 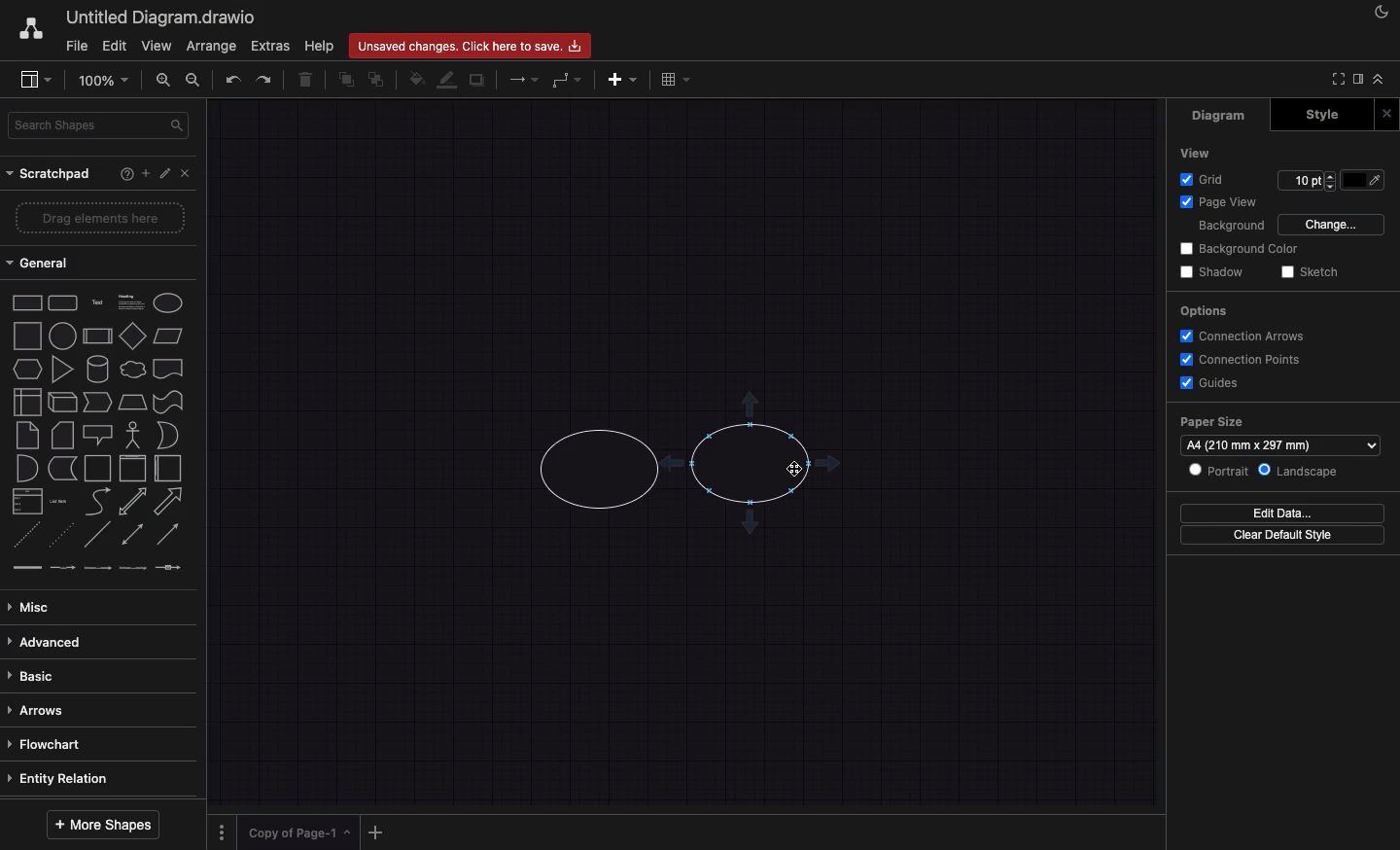 What do you see at coordinates (101, 81) in the screenshot?
I see `100% zoom` at bounding box center [101, 81].